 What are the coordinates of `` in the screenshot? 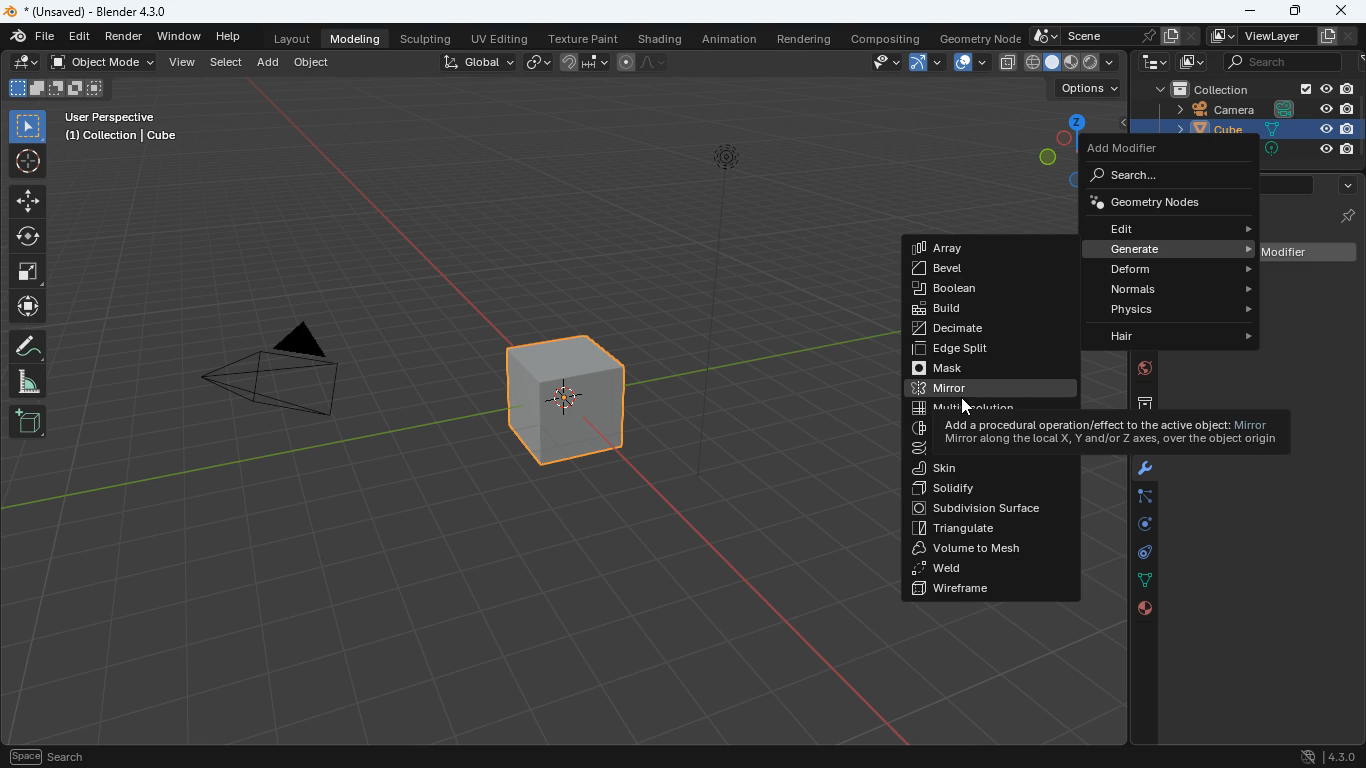 It's located at (1323, 109).